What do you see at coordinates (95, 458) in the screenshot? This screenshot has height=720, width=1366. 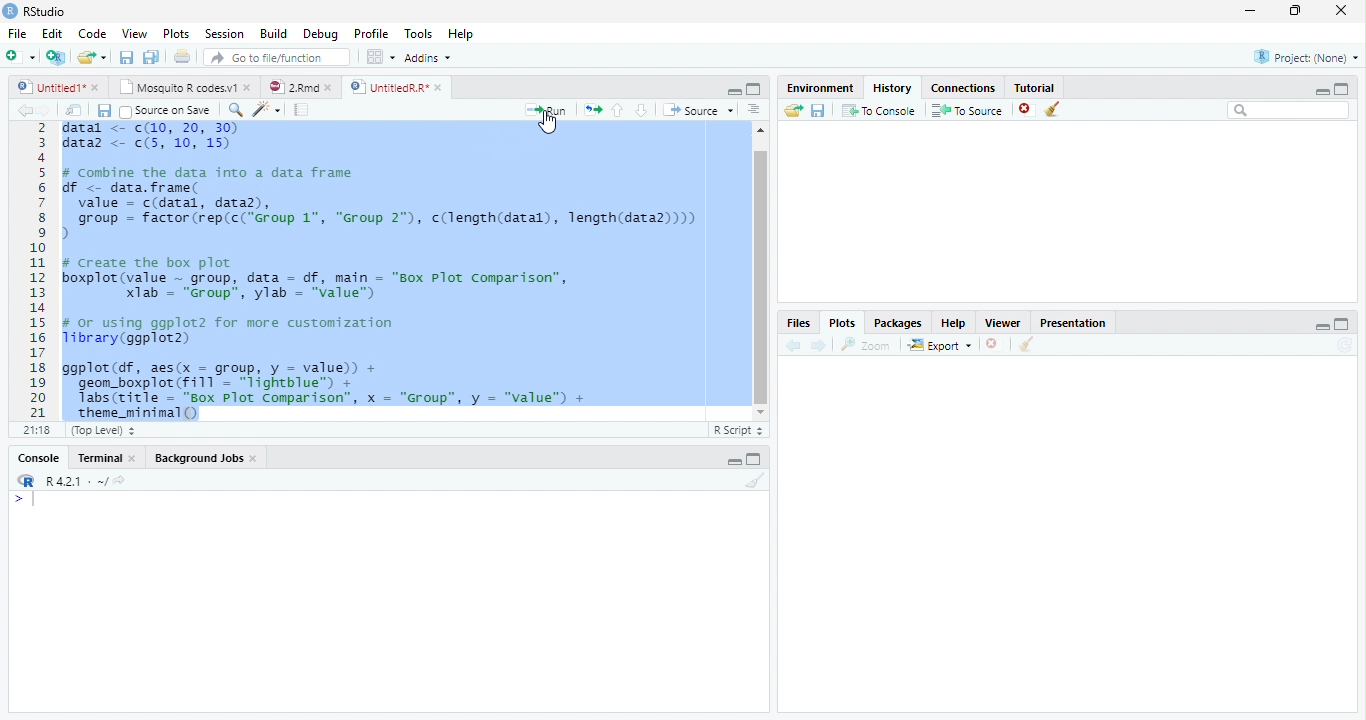 I see `Terminal` at bounding box center [95, 458].